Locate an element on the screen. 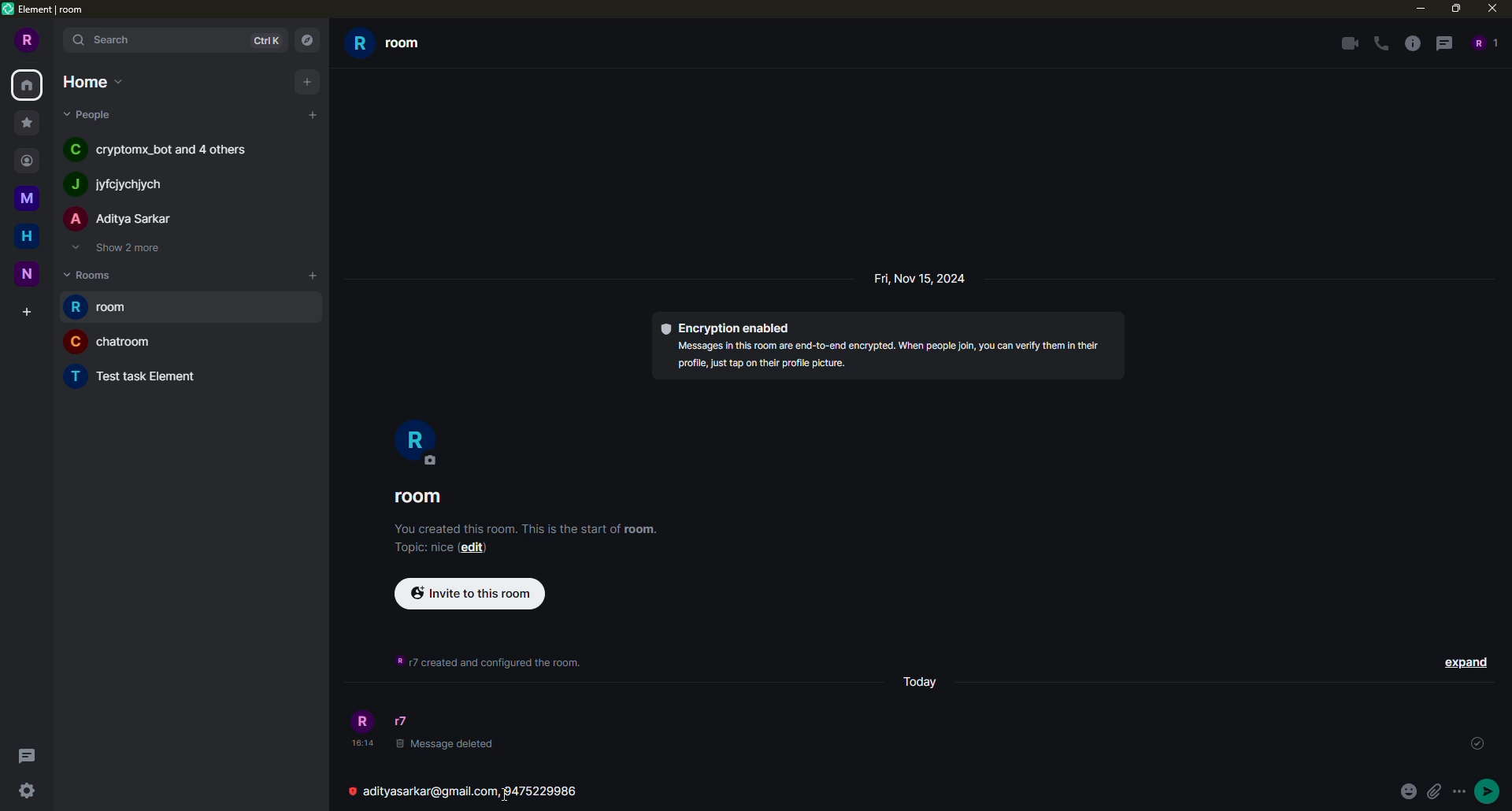 Image resolution: width=1512 pixels, height=811 pixels. maximize is located at coordinates (1456, 9).